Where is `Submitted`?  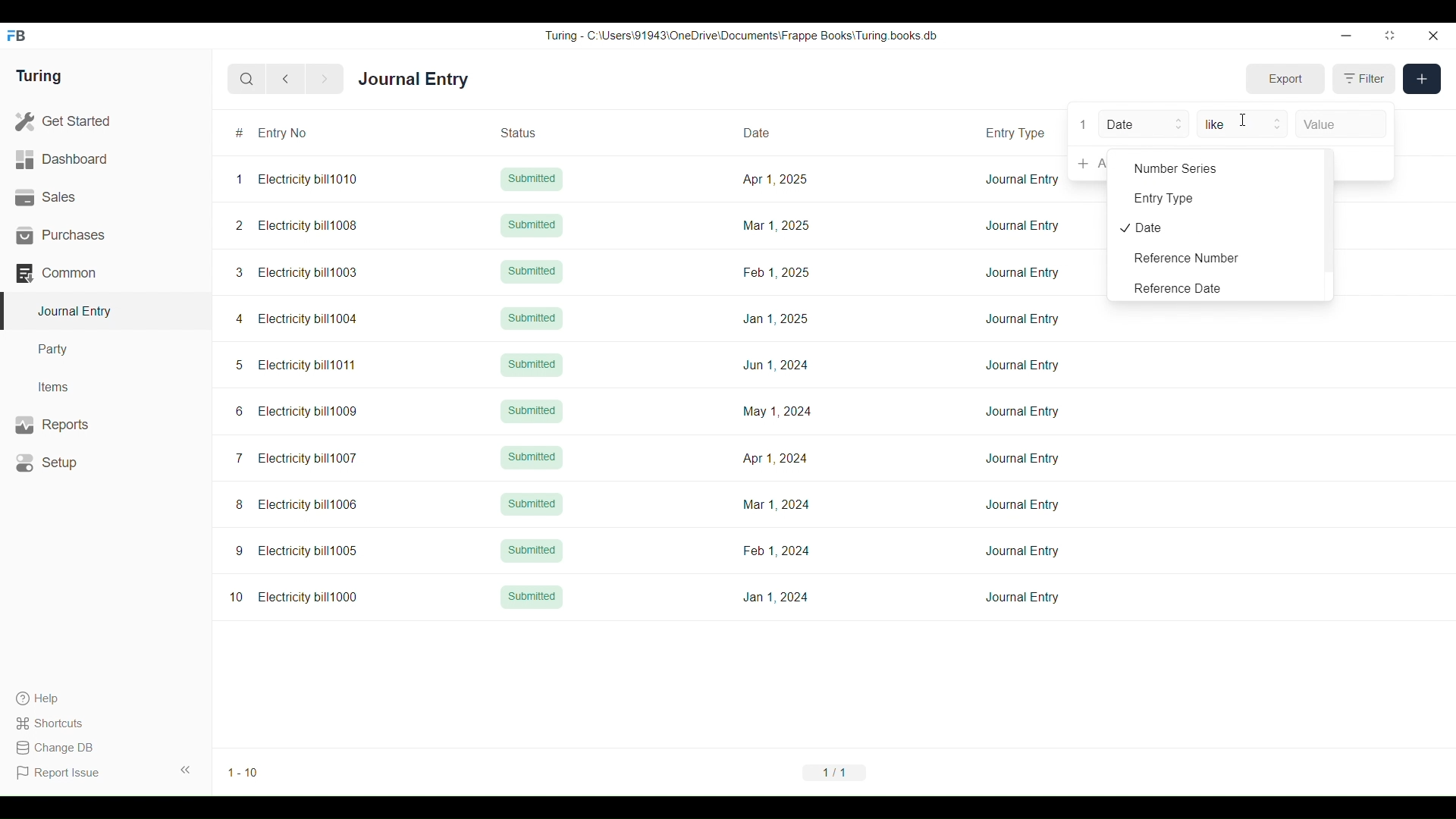 Submitted is located at coordinates (532, 365).